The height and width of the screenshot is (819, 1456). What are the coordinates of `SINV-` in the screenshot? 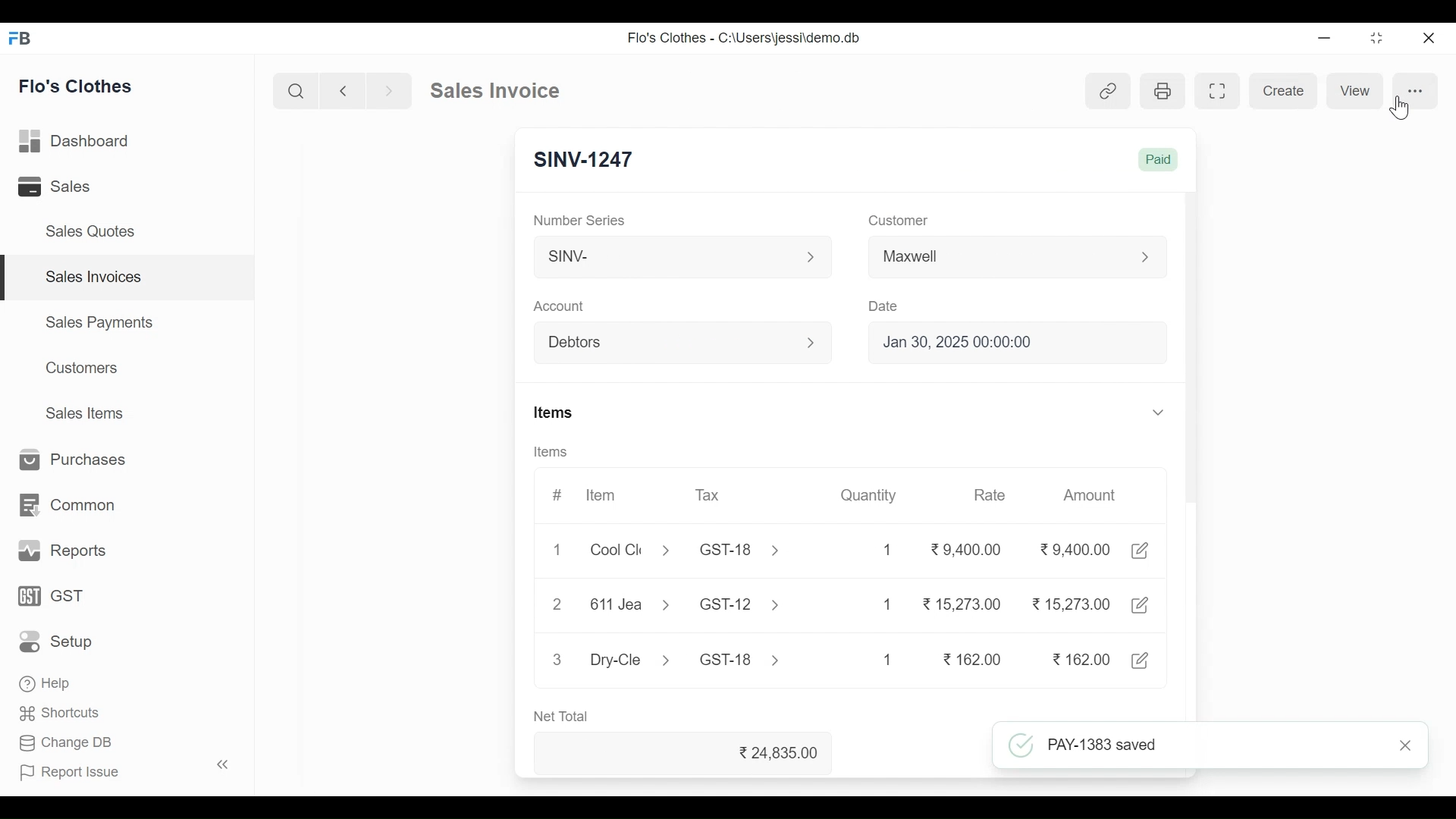 It's located at (669, 257).